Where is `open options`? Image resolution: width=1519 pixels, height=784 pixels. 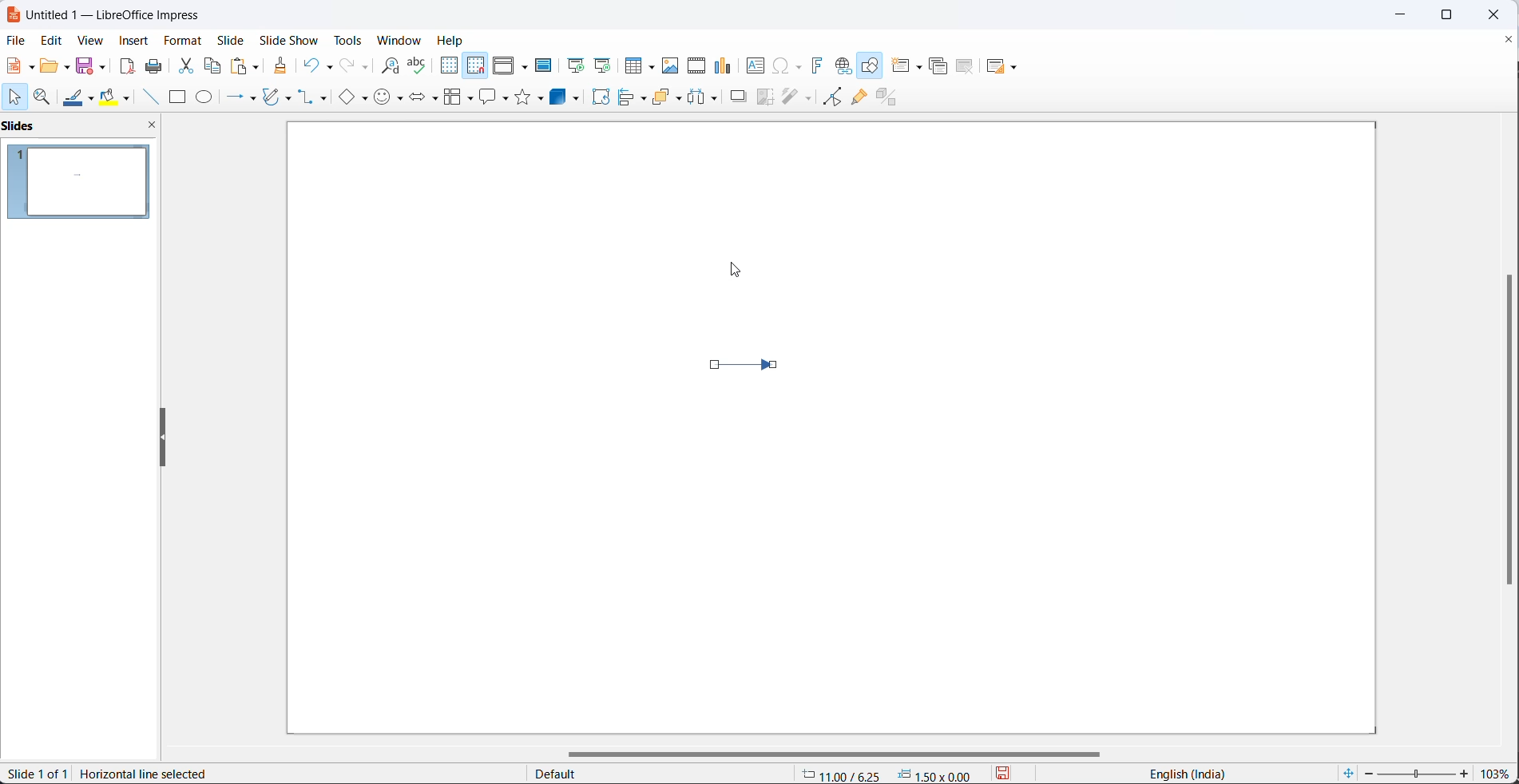
open options is located at coordinates (53, 65).